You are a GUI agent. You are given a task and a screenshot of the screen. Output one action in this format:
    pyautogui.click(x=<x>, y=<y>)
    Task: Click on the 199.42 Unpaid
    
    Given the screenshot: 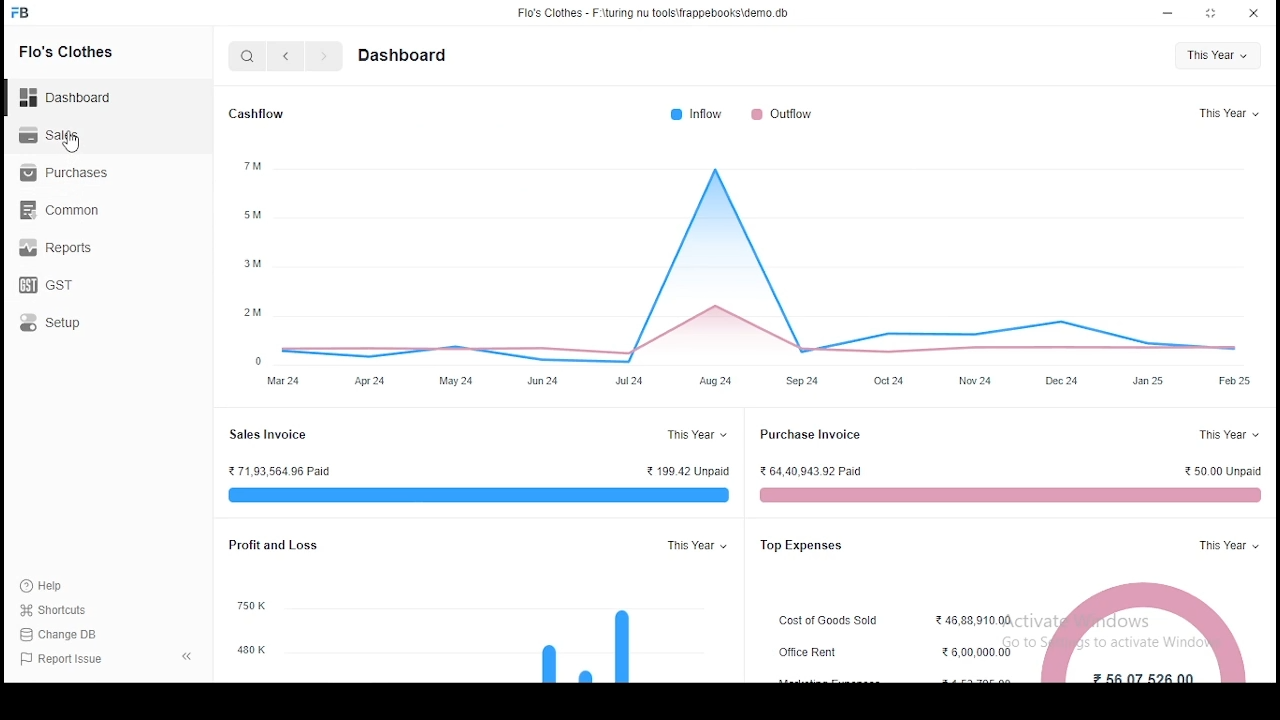 What is the action you would take?
    pyautogui.click(x=688, y=471)
    